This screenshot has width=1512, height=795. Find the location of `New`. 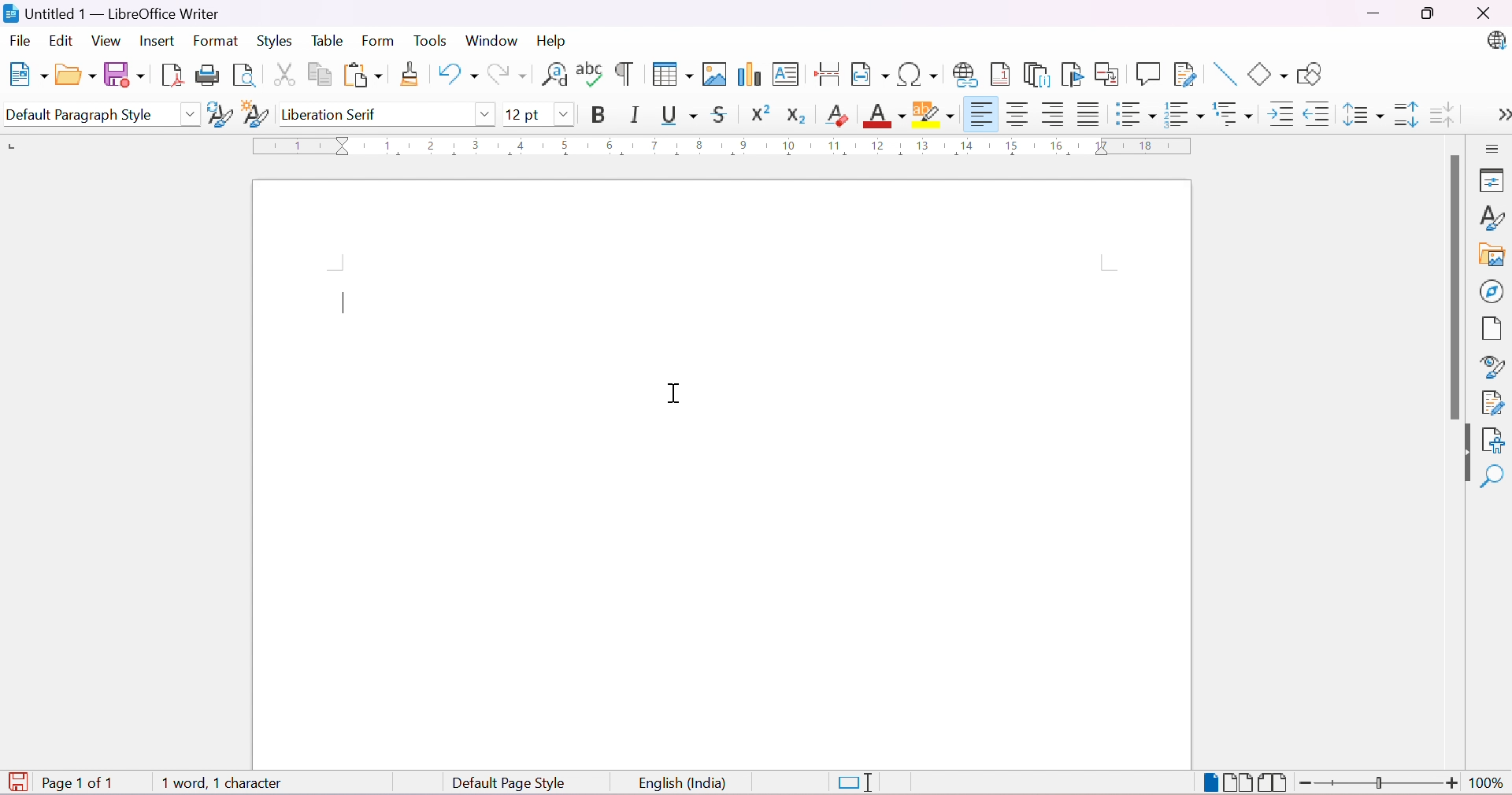

New is located at coordinates (30, 76).